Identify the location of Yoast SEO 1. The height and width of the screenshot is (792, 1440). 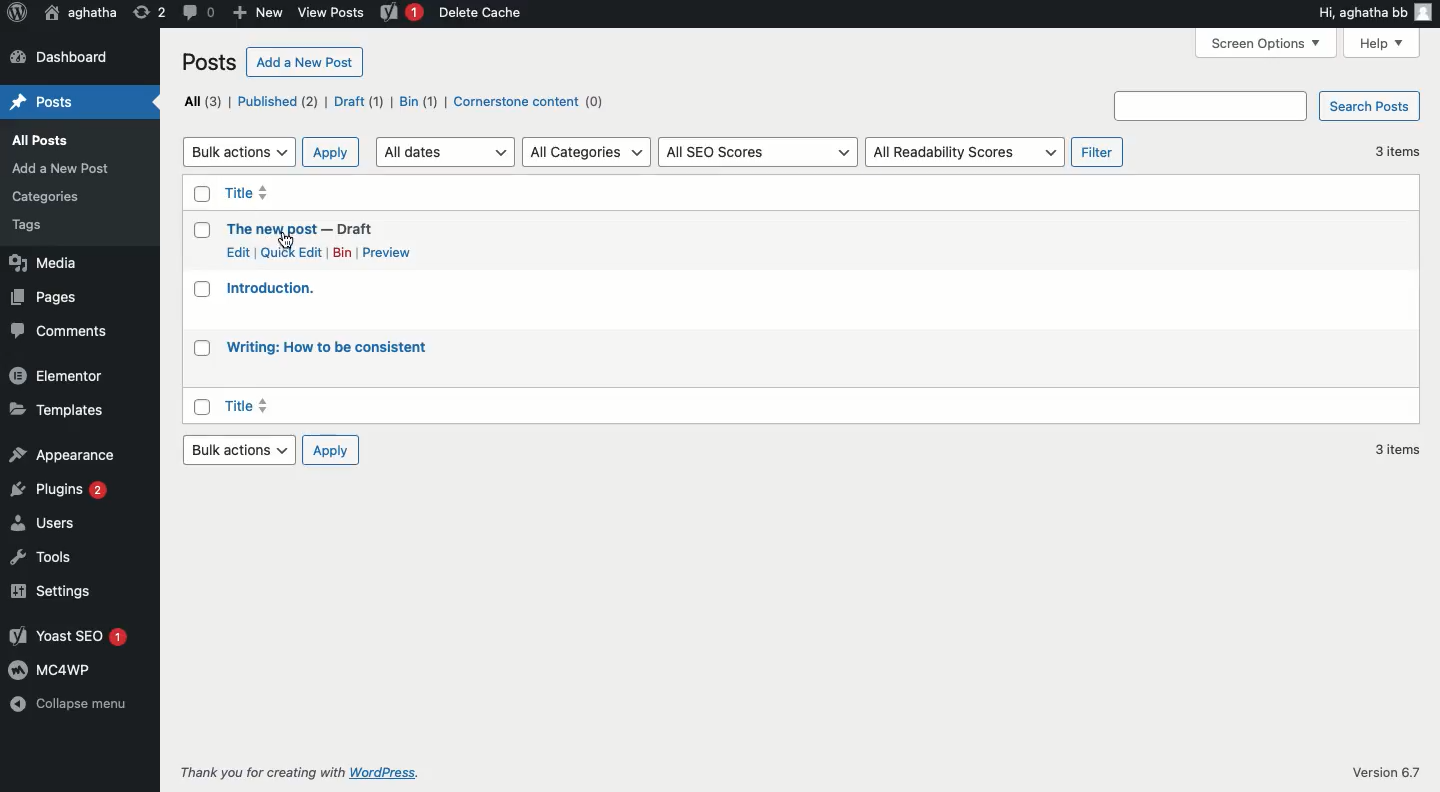
(72, 635).